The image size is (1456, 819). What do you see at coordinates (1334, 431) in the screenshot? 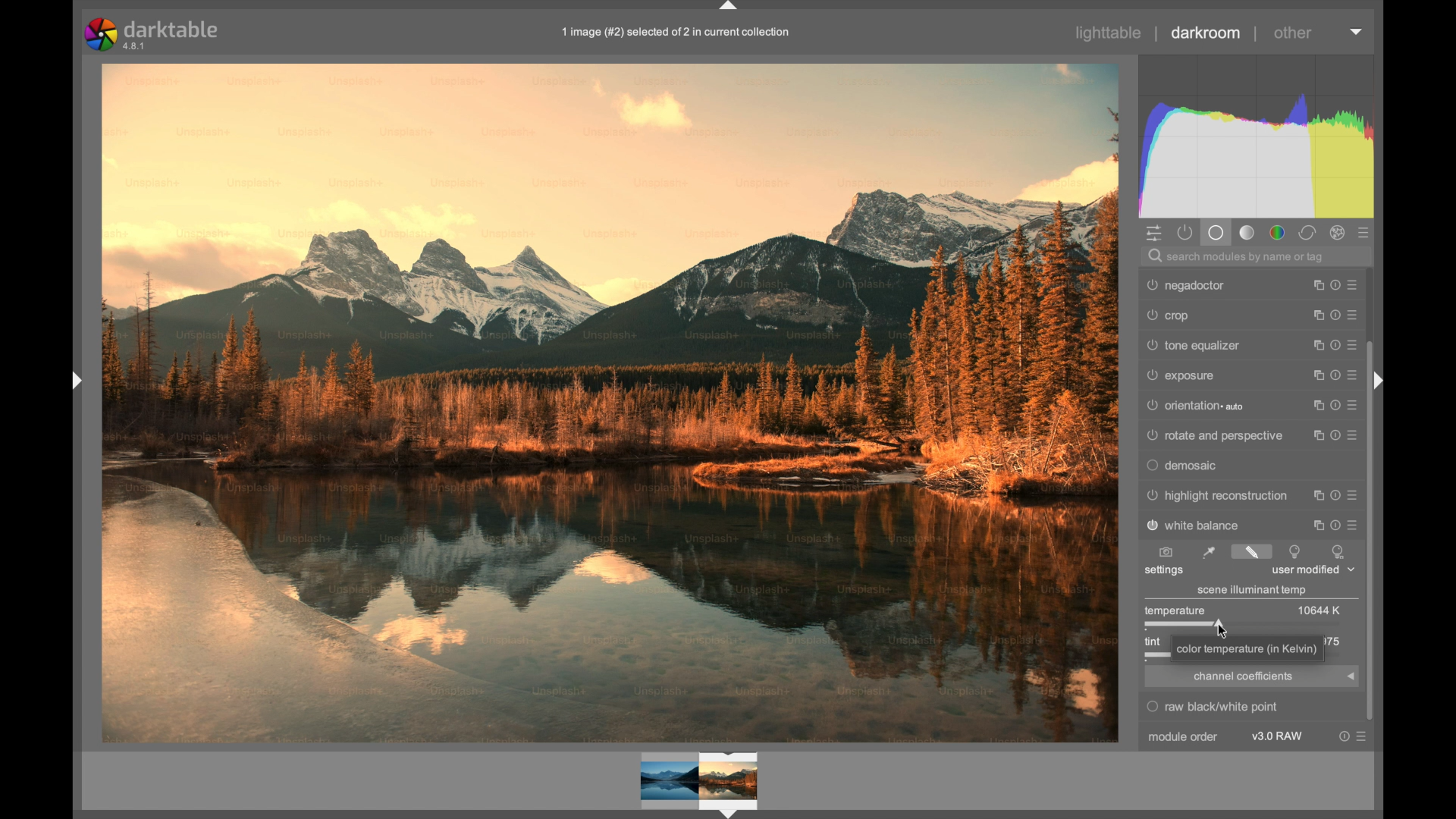
I see `reset parameters` at bounding box center [1334, 431].